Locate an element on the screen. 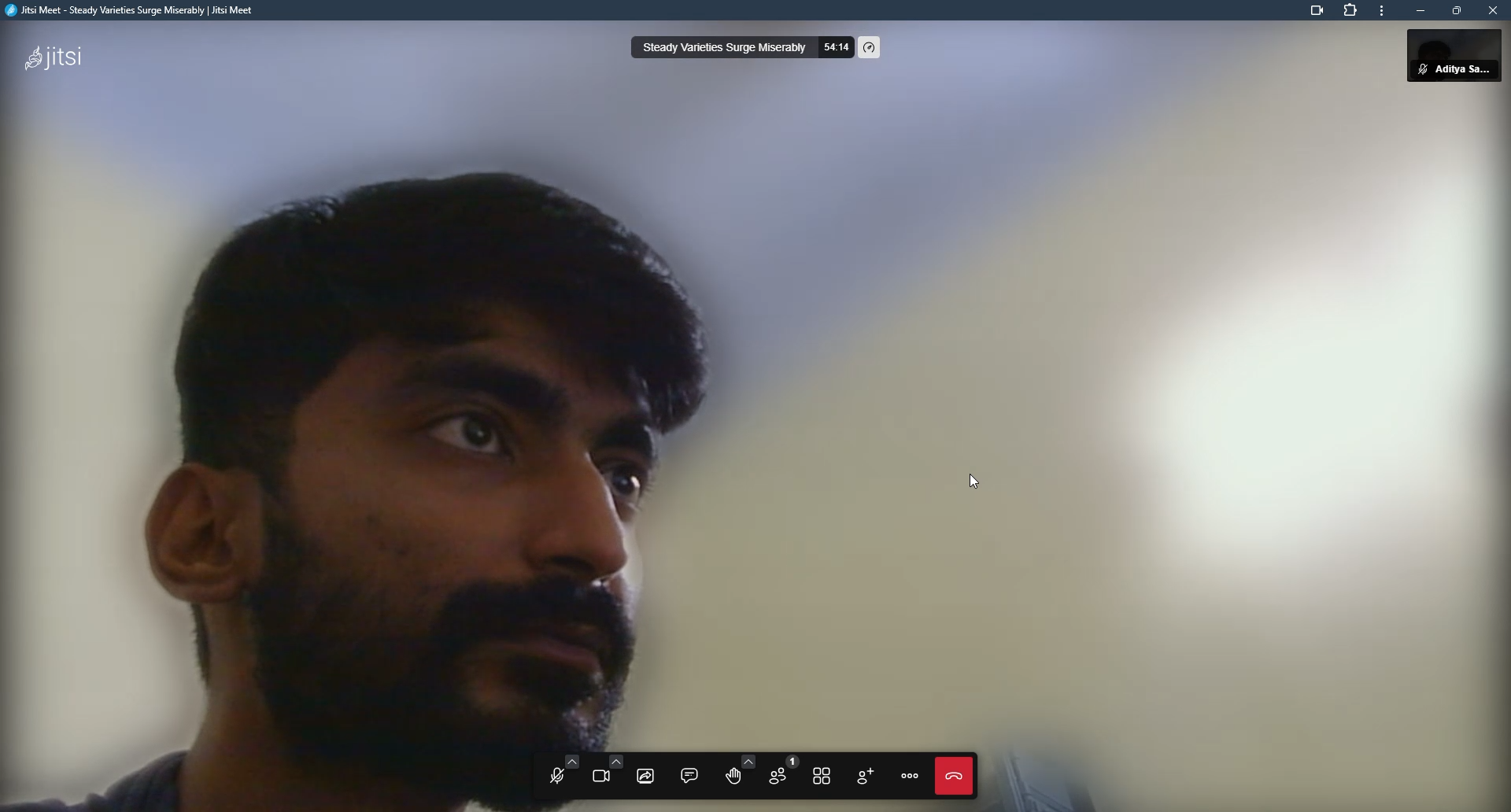 This screenshot has width=1511, height=812. steady varieties surge miserably is located at coordinates (722, 48).